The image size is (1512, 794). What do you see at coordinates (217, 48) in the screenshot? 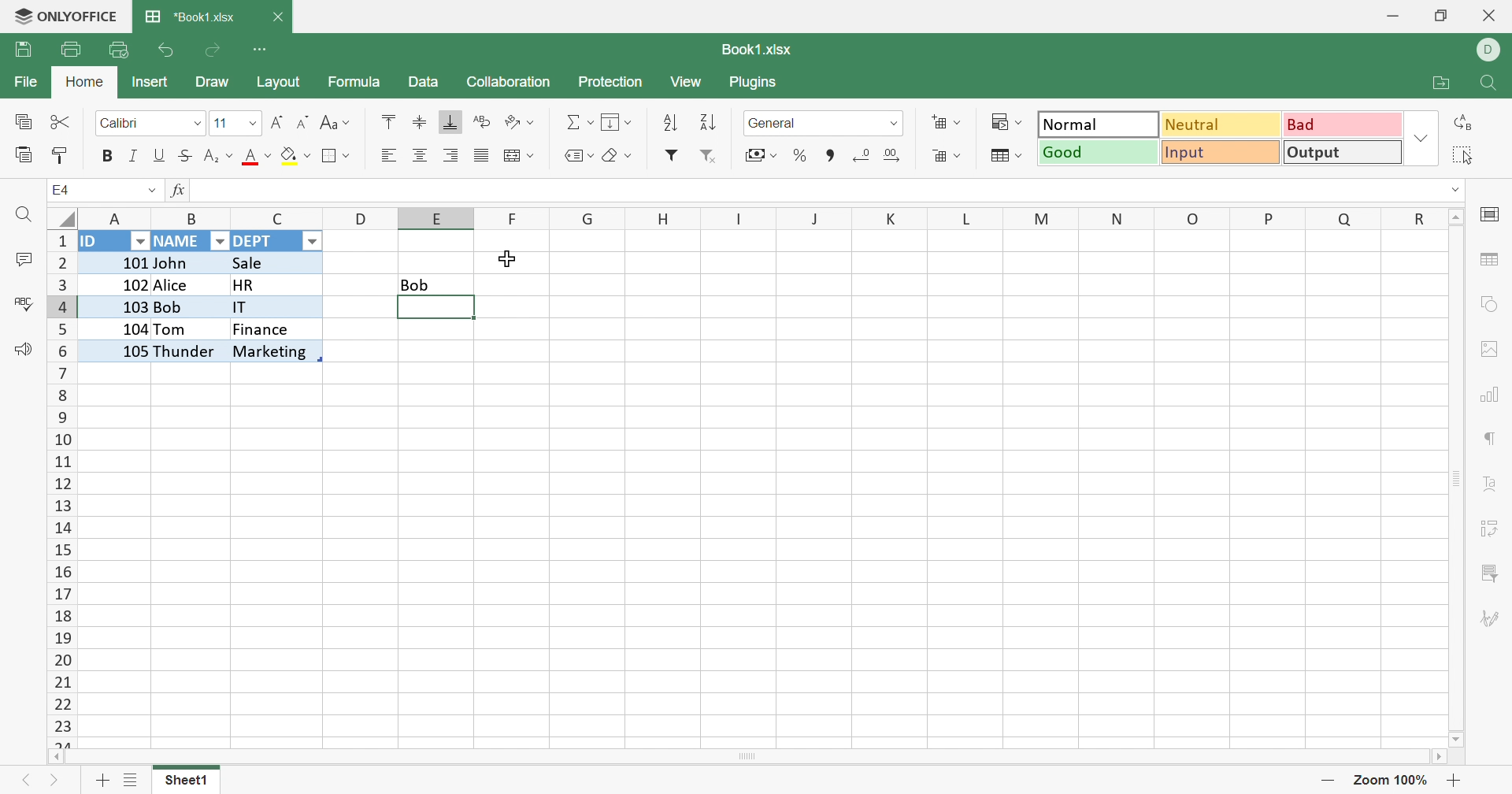
I see `Redo` at bounding box center [217, 48].